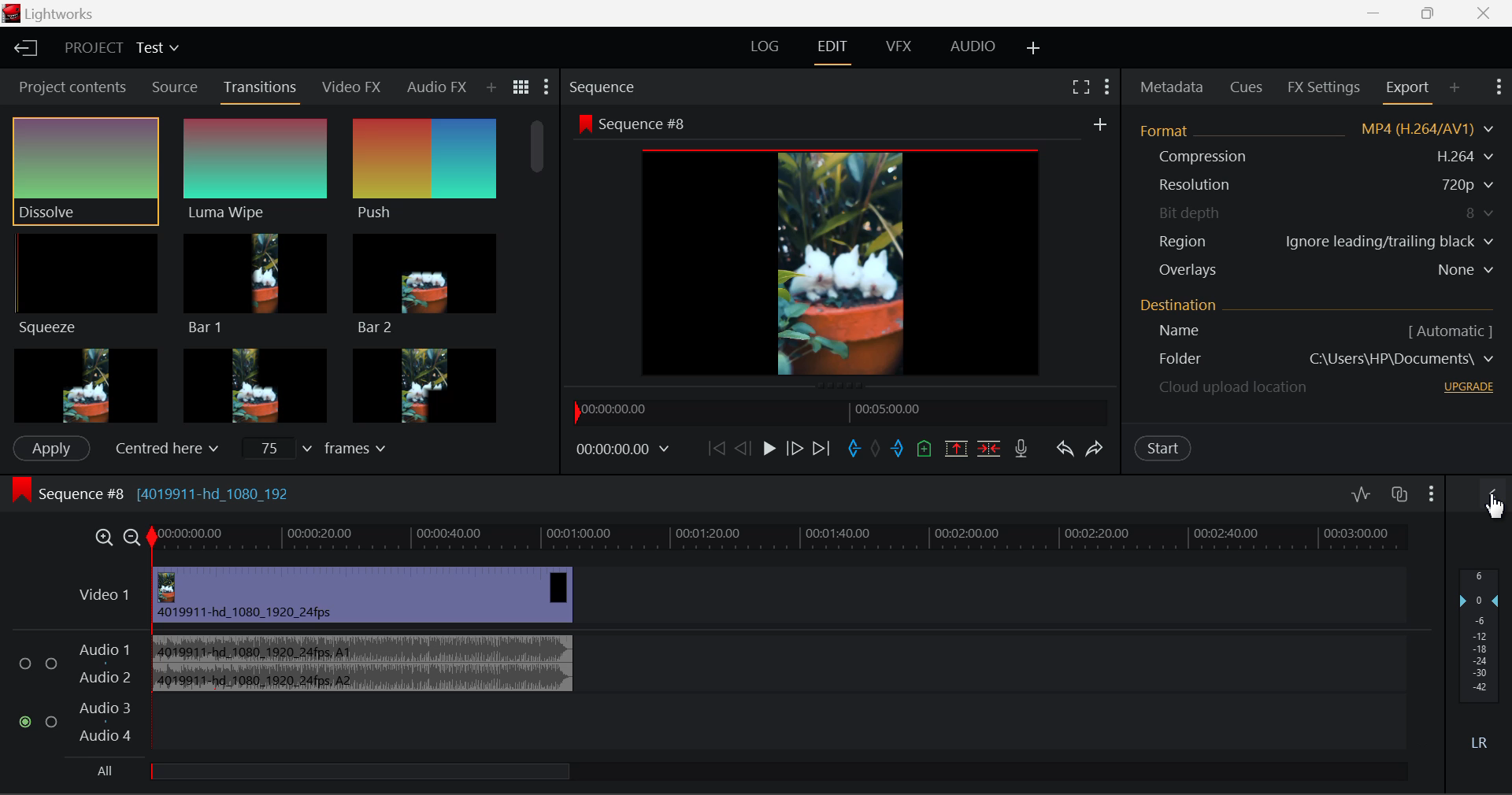  Describe the element at coordinates (1095, 449) in the screenshot. I see `Redo` at that location.